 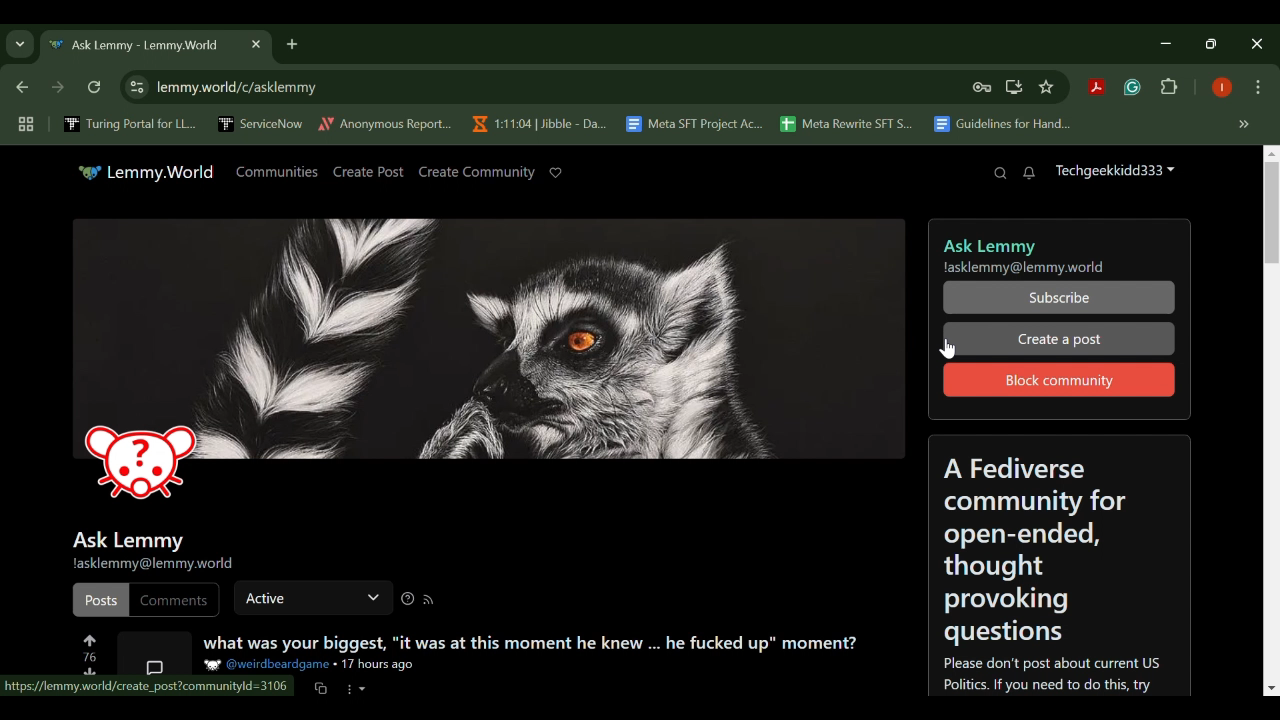 I want to click on Refresh Webpage, so click(x=96, y=89).